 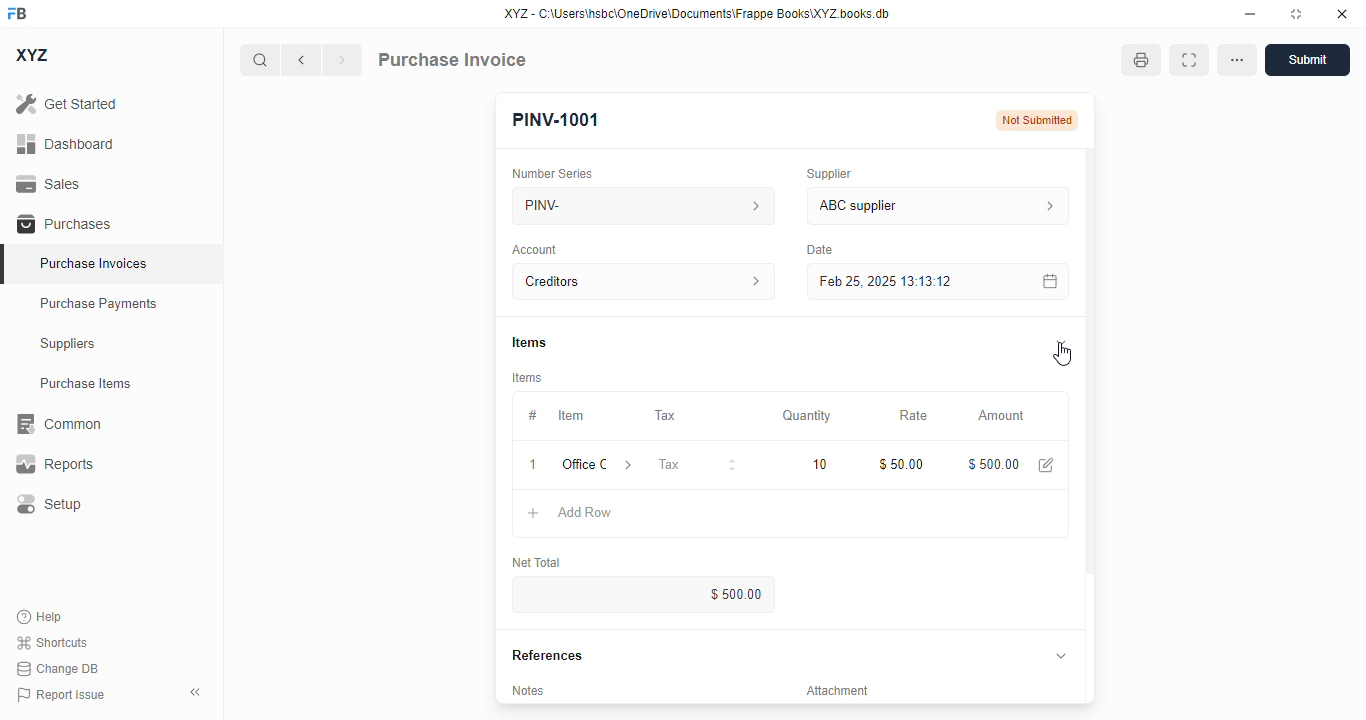 I want to click on references, so click(x=548, y=655).